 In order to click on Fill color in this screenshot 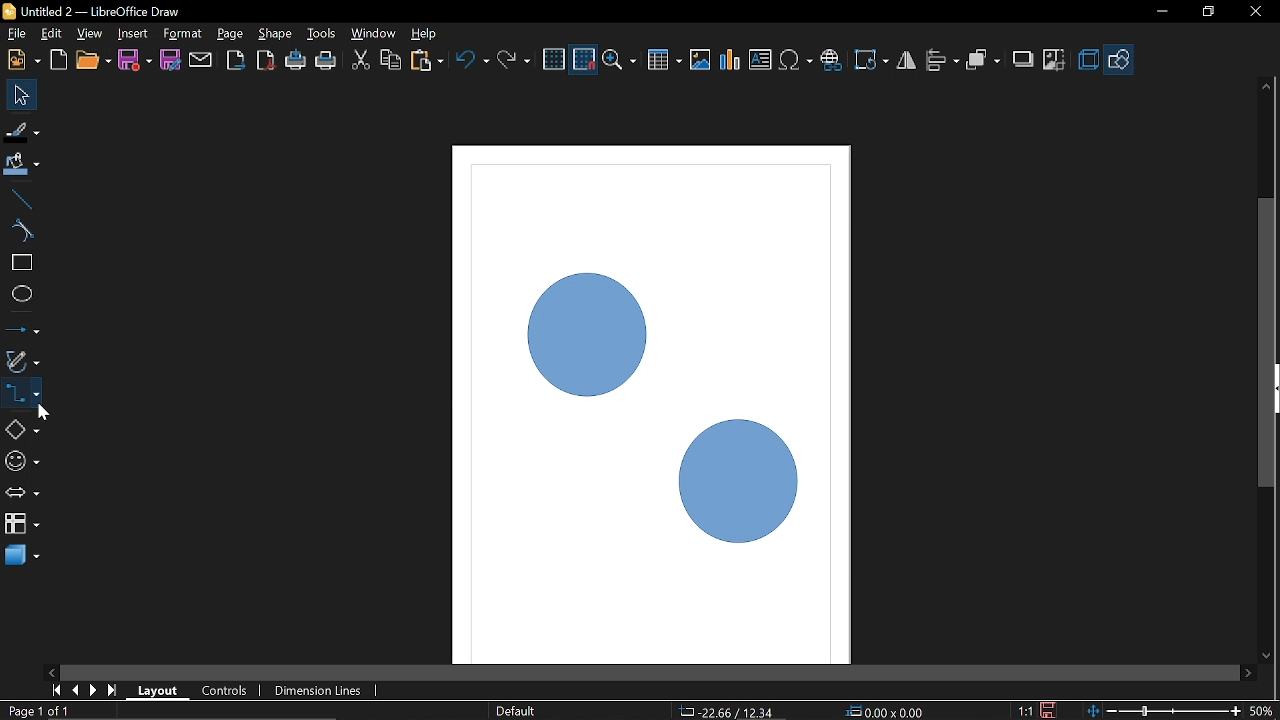, I will do `click(20, 169)`.